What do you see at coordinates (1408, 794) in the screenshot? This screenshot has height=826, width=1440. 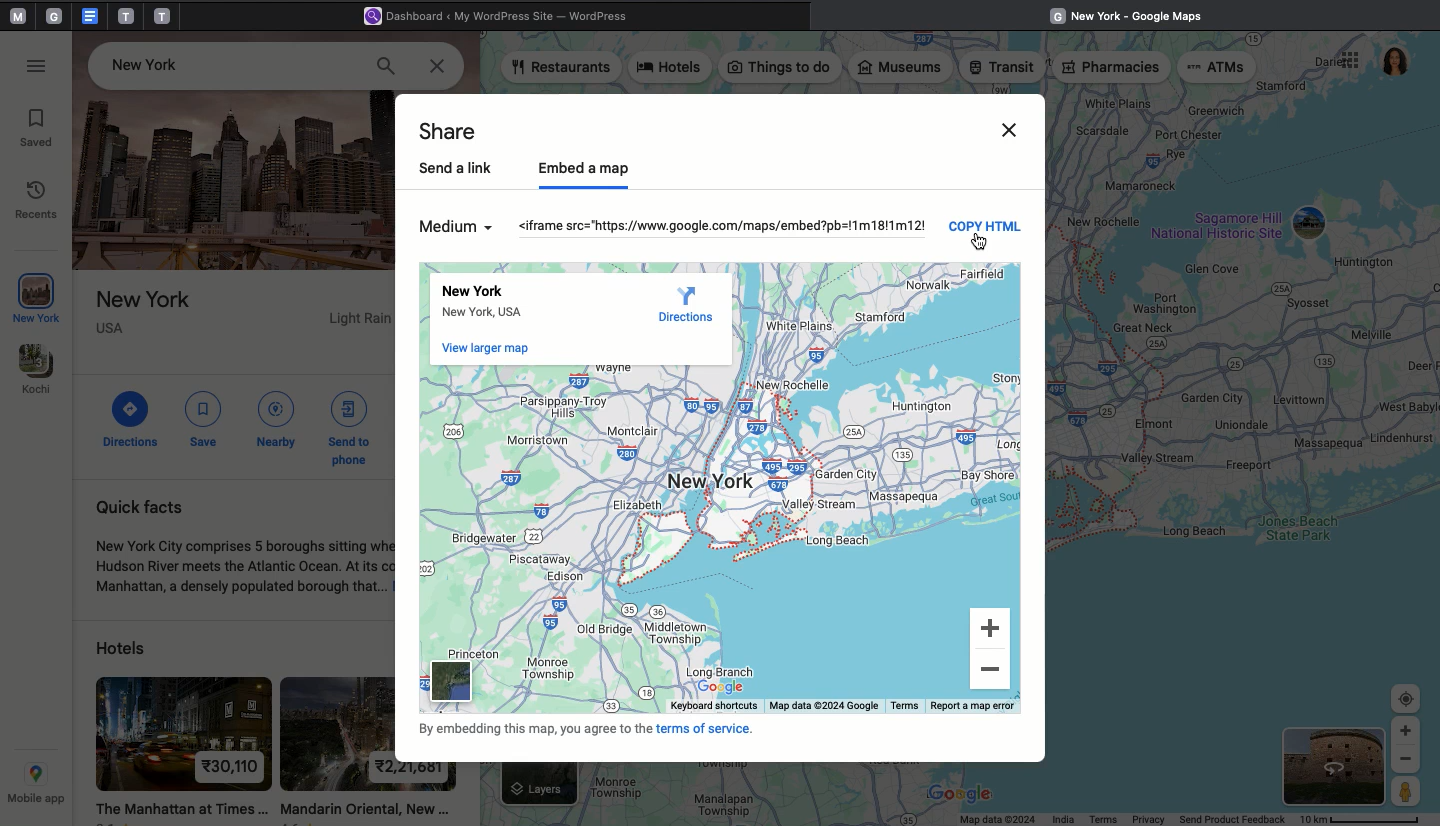 I see `Person` at bounding box center [1408, 794].